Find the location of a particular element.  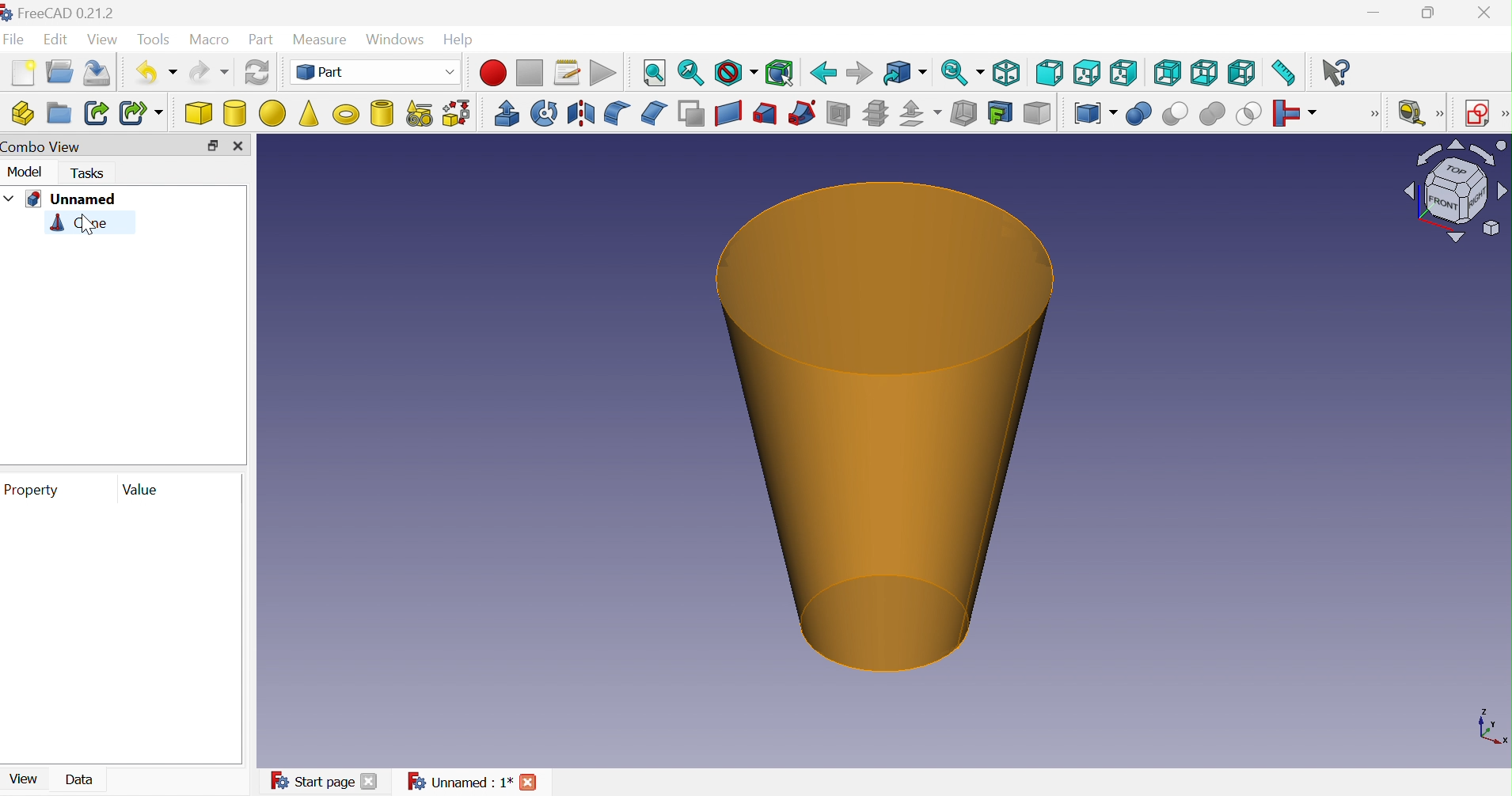

Union is located at coordinates (1212, 116).